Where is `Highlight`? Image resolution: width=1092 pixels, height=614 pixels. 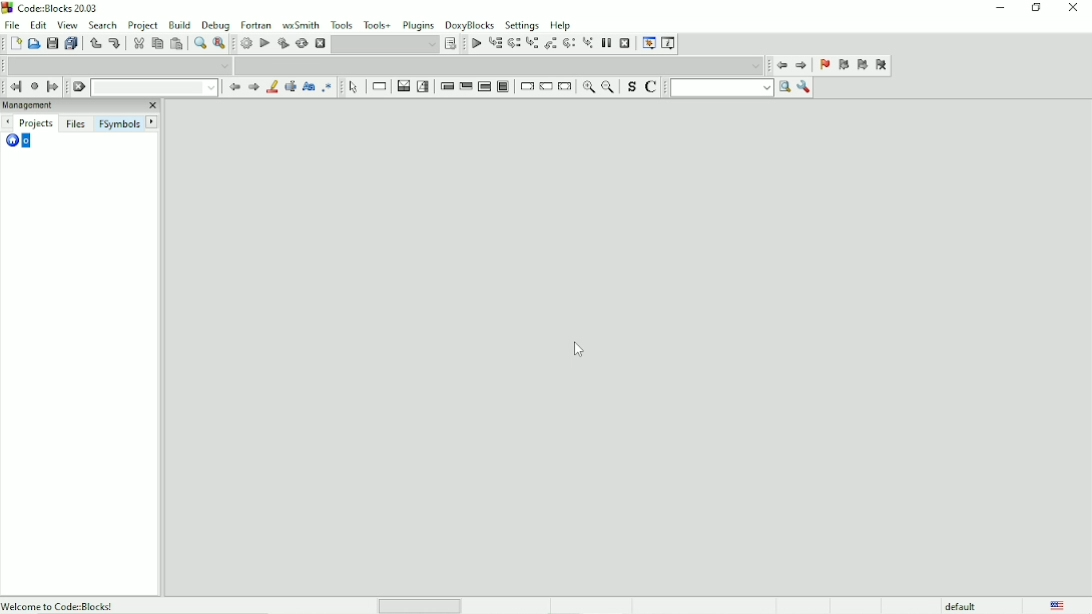 Highlight is located at coordinates (271, 87).